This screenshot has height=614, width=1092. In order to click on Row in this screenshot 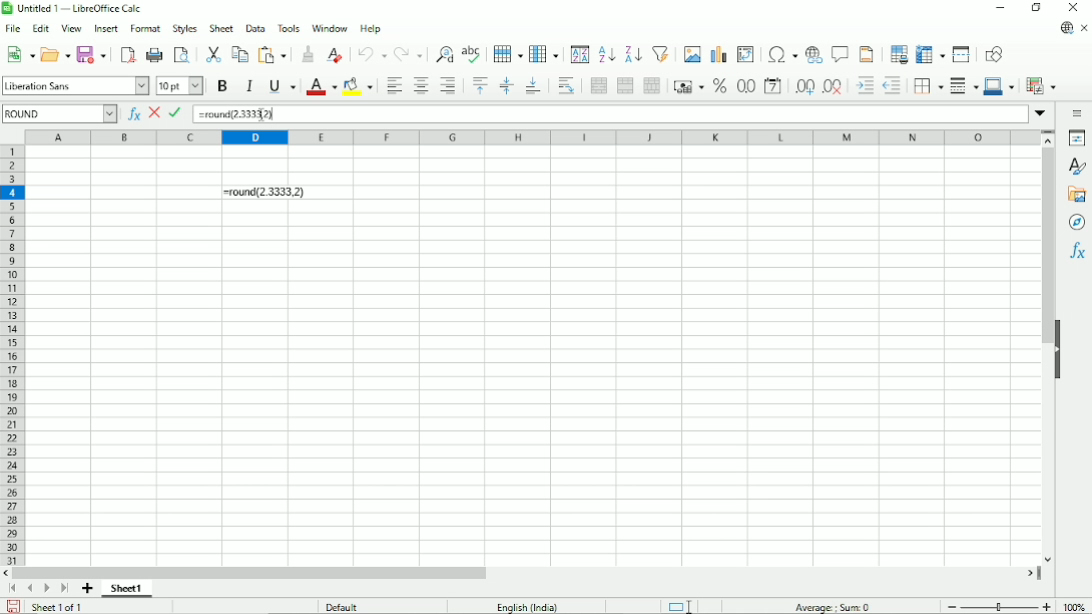, I will do `click(508, 53)`.